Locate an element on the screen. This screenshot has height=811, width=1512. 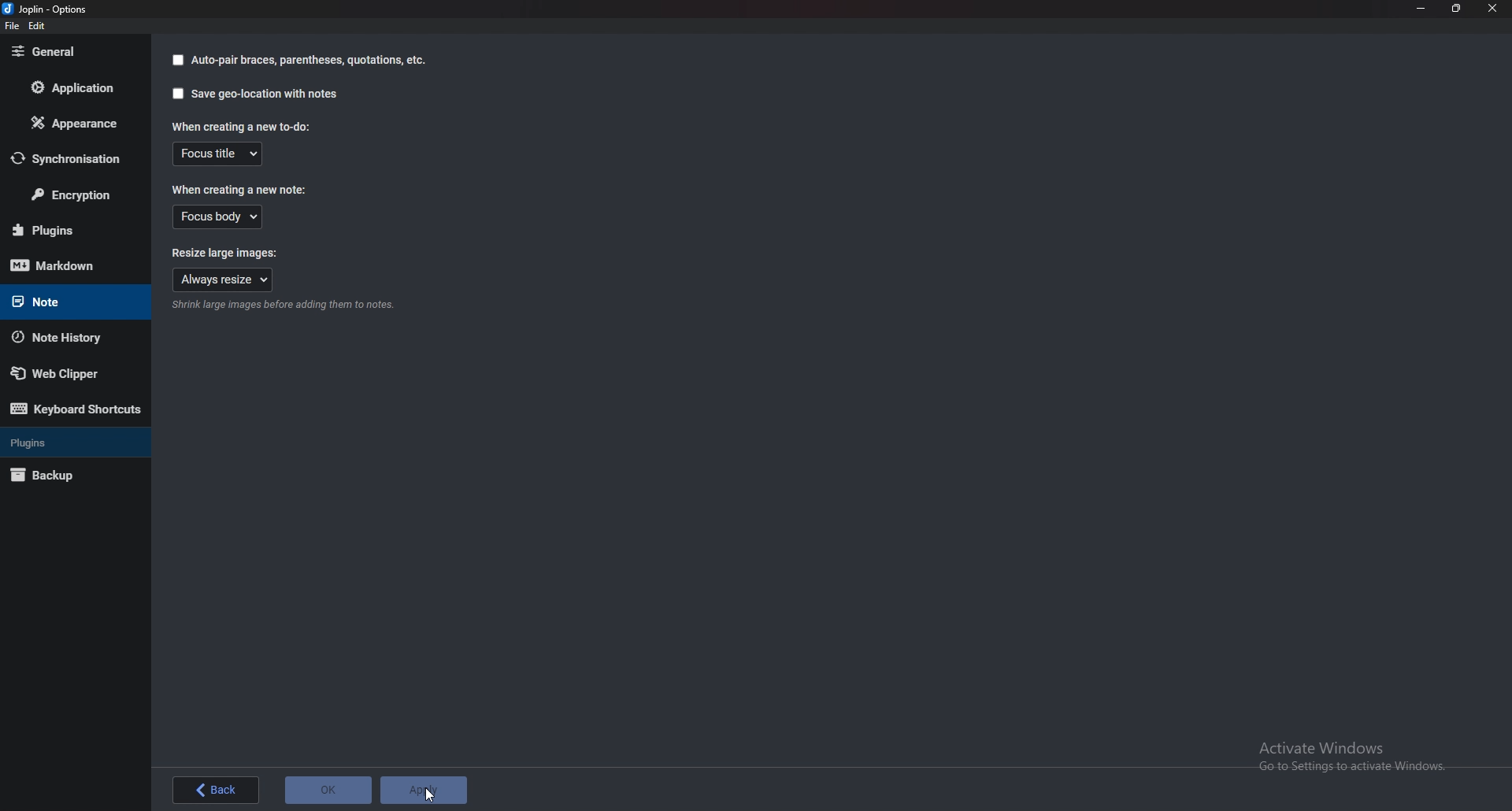
File is located at coordinates (13, 25).